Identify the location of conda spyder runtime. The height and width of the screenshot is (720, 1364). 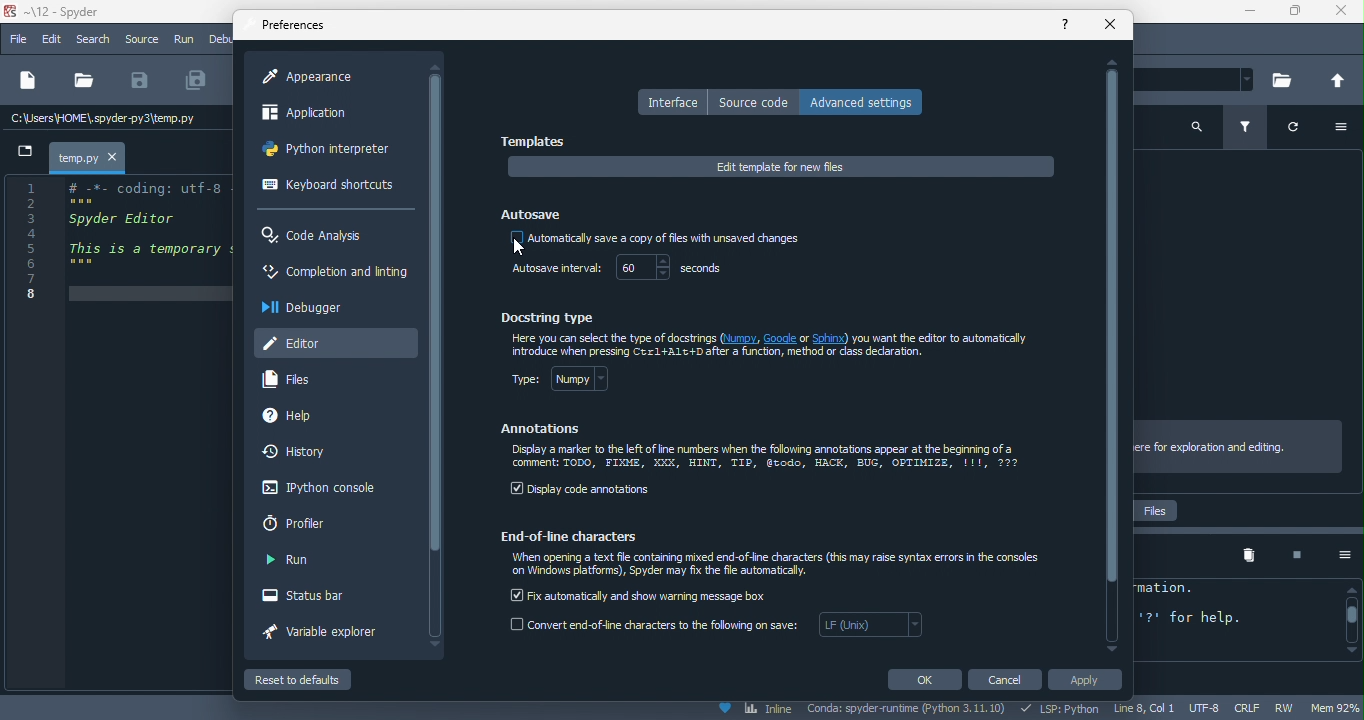
(908, 710).